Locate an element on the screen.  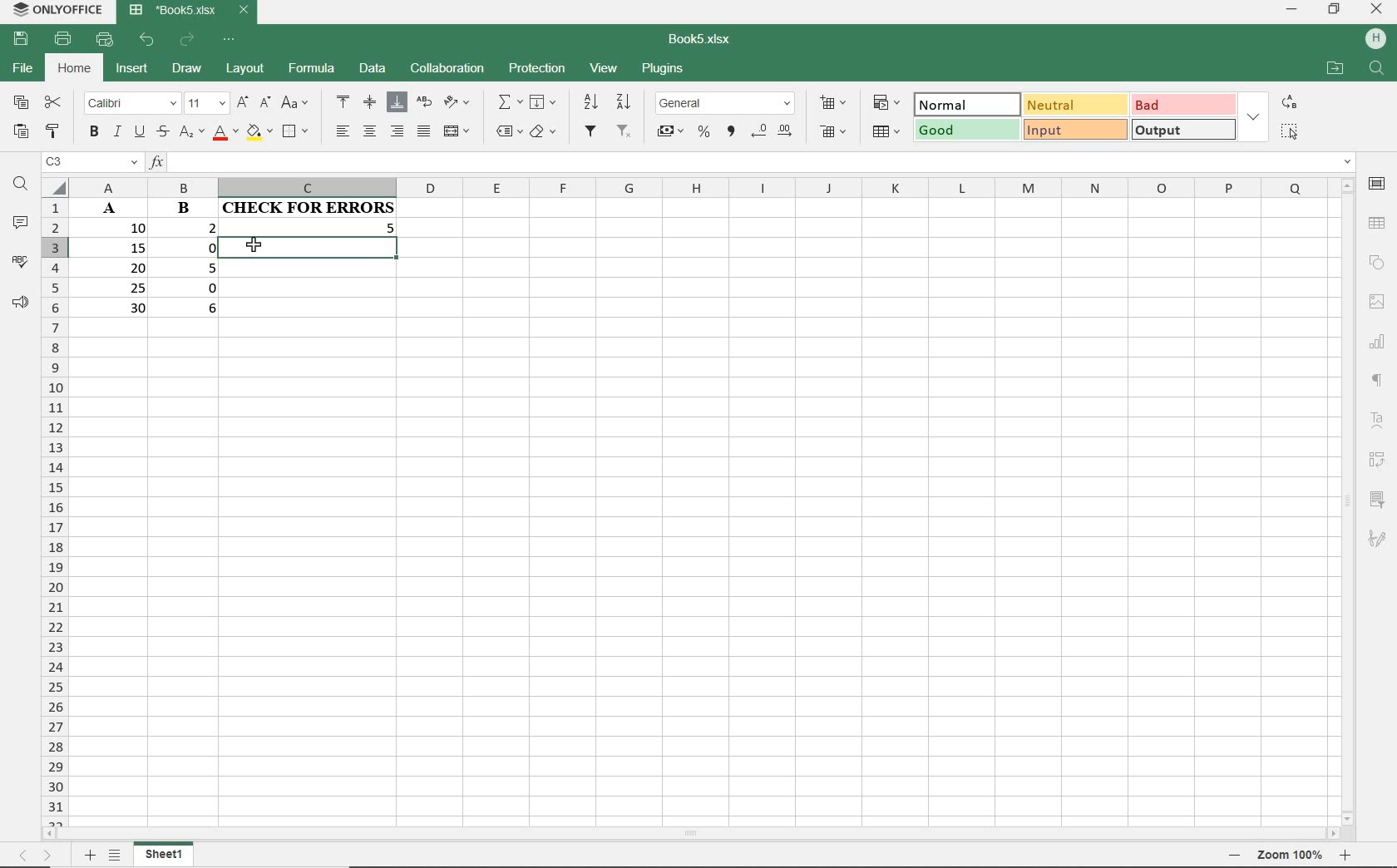
INSERT FUNCTION is located at coordinates (509, 104).